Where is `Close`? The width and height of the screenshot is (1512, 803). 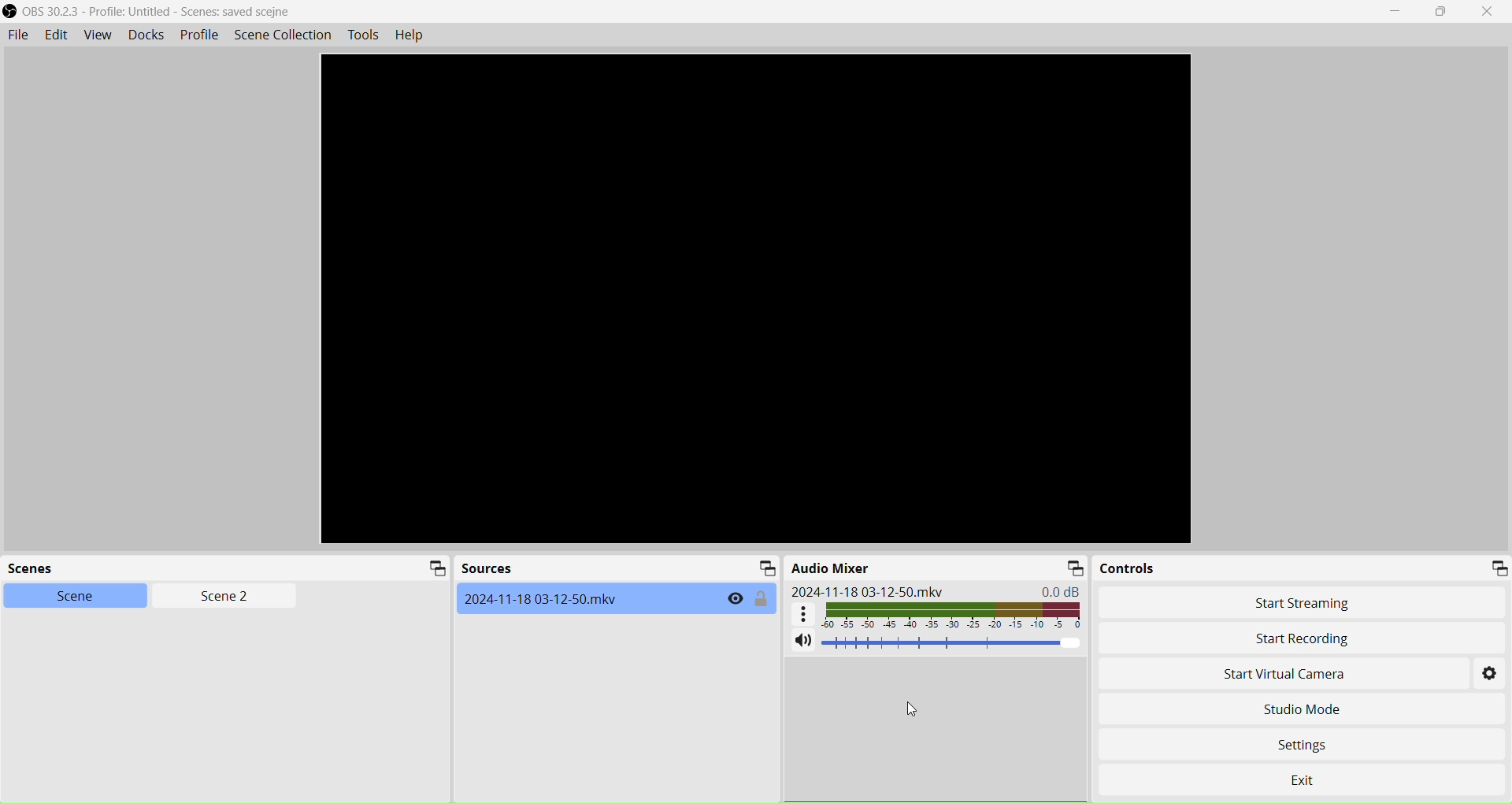
Close is located at coordinates (1492, 12).